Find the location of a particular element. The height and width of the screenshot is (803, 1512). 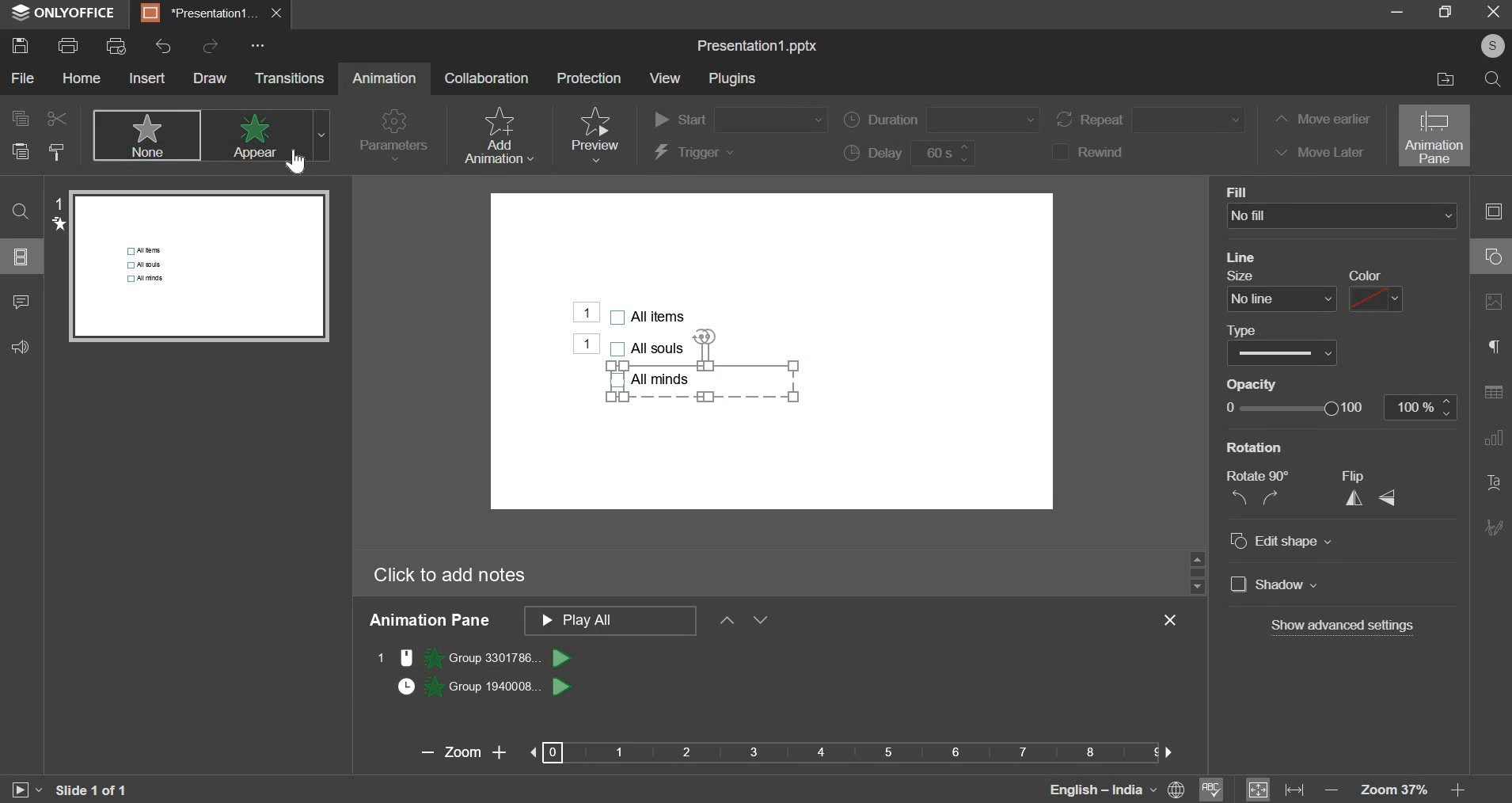

fit is located at coordinates (1275, 788).